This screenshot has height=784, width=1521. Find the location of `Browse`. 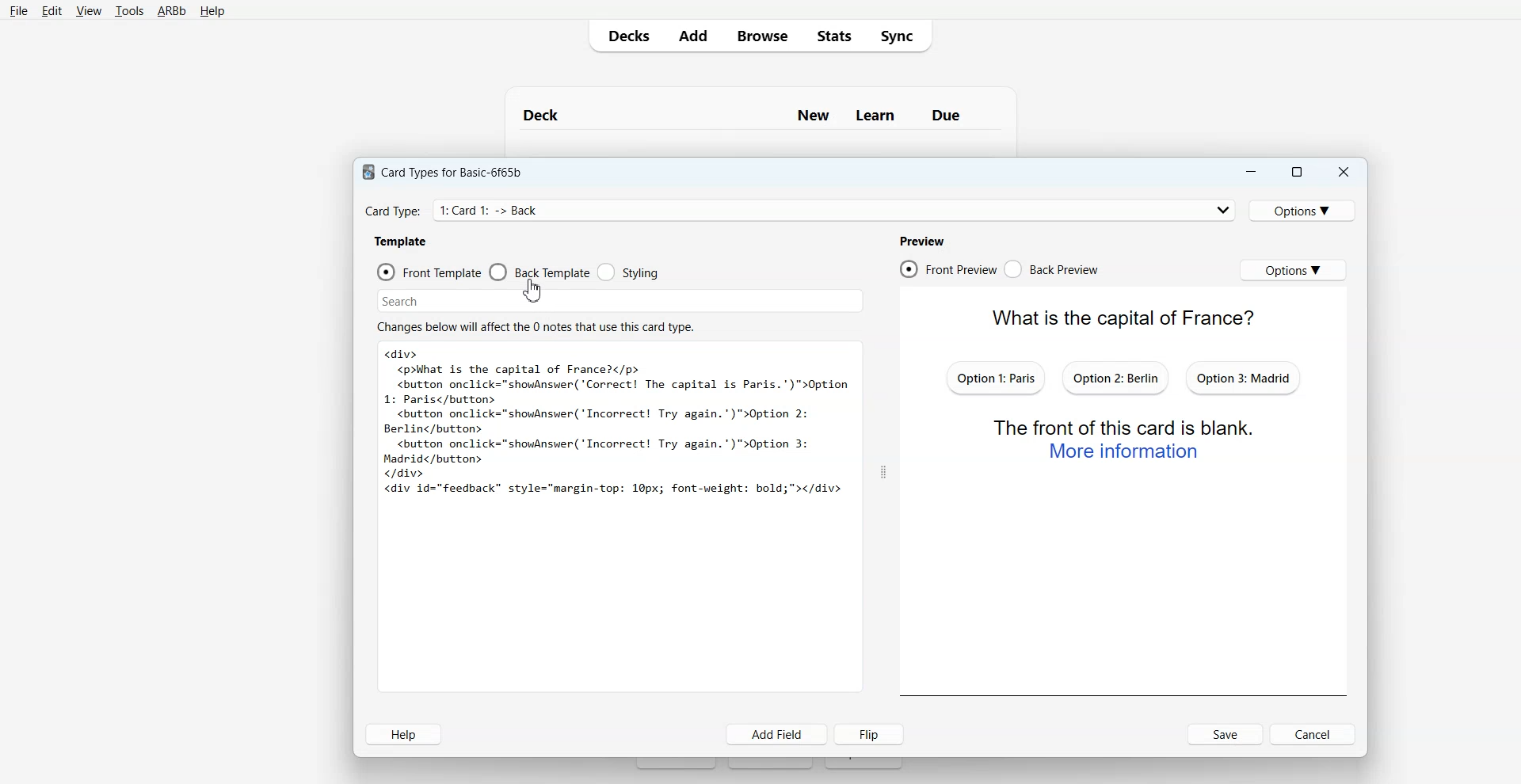

Browse is located at coordinates (760, 36).